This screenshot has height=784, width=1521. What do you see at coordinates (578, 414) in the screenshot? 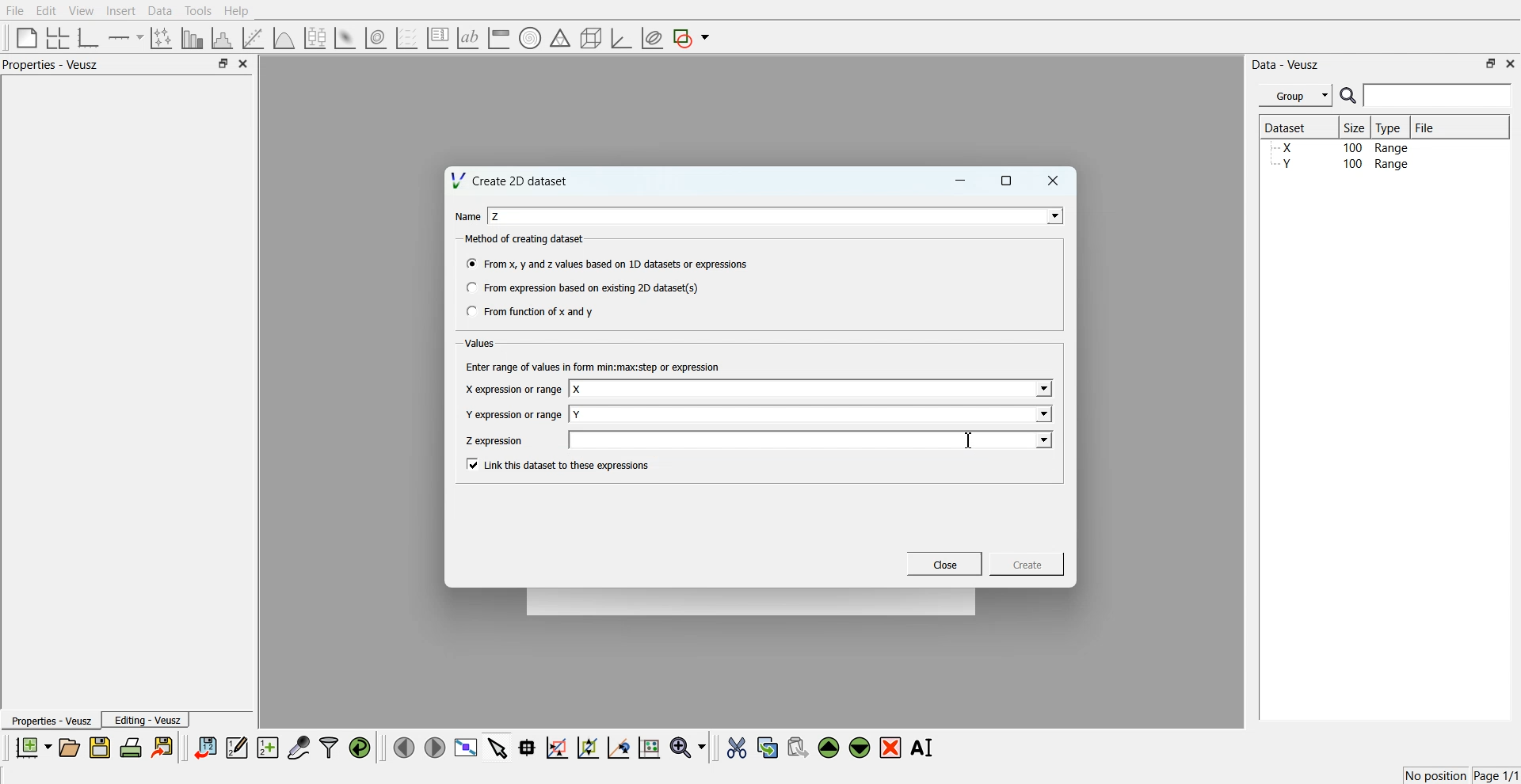
I see `Y` at bounding box center [578, 414].